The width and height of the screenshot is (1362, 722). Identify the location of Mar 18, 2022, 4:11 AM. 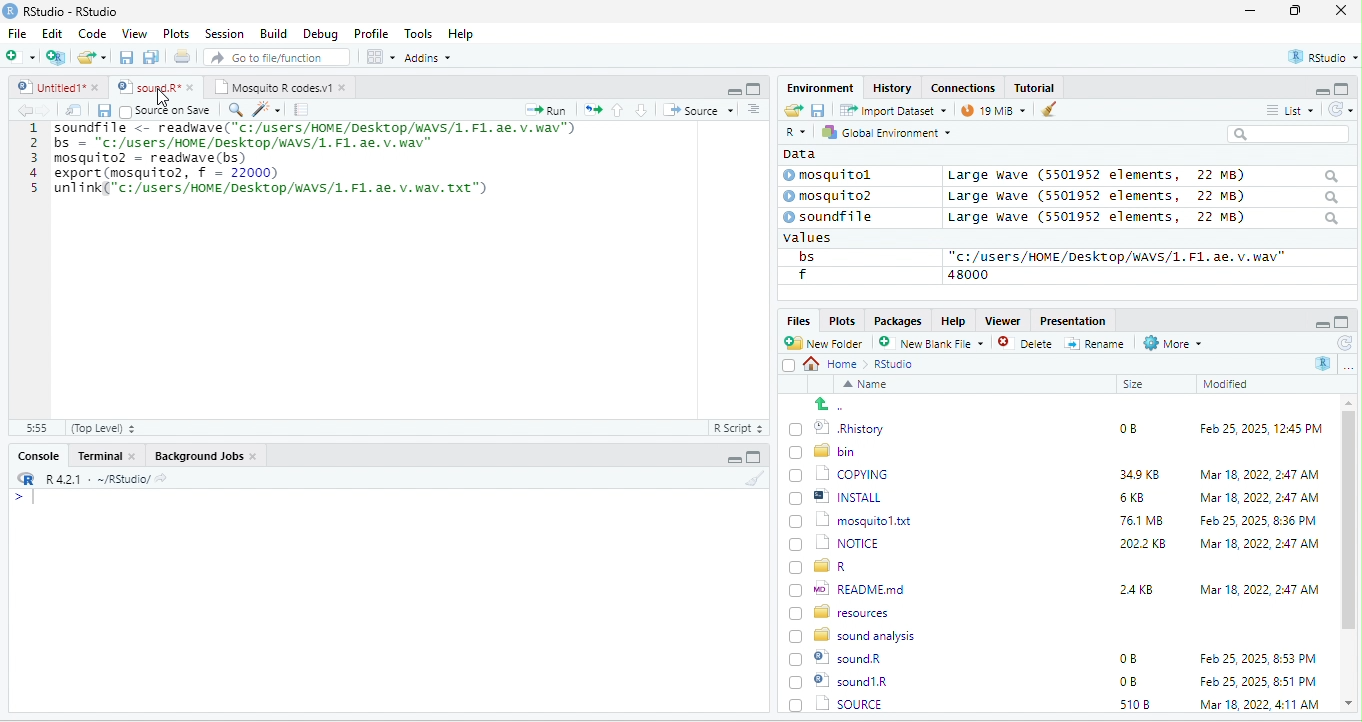
(1258, 681).